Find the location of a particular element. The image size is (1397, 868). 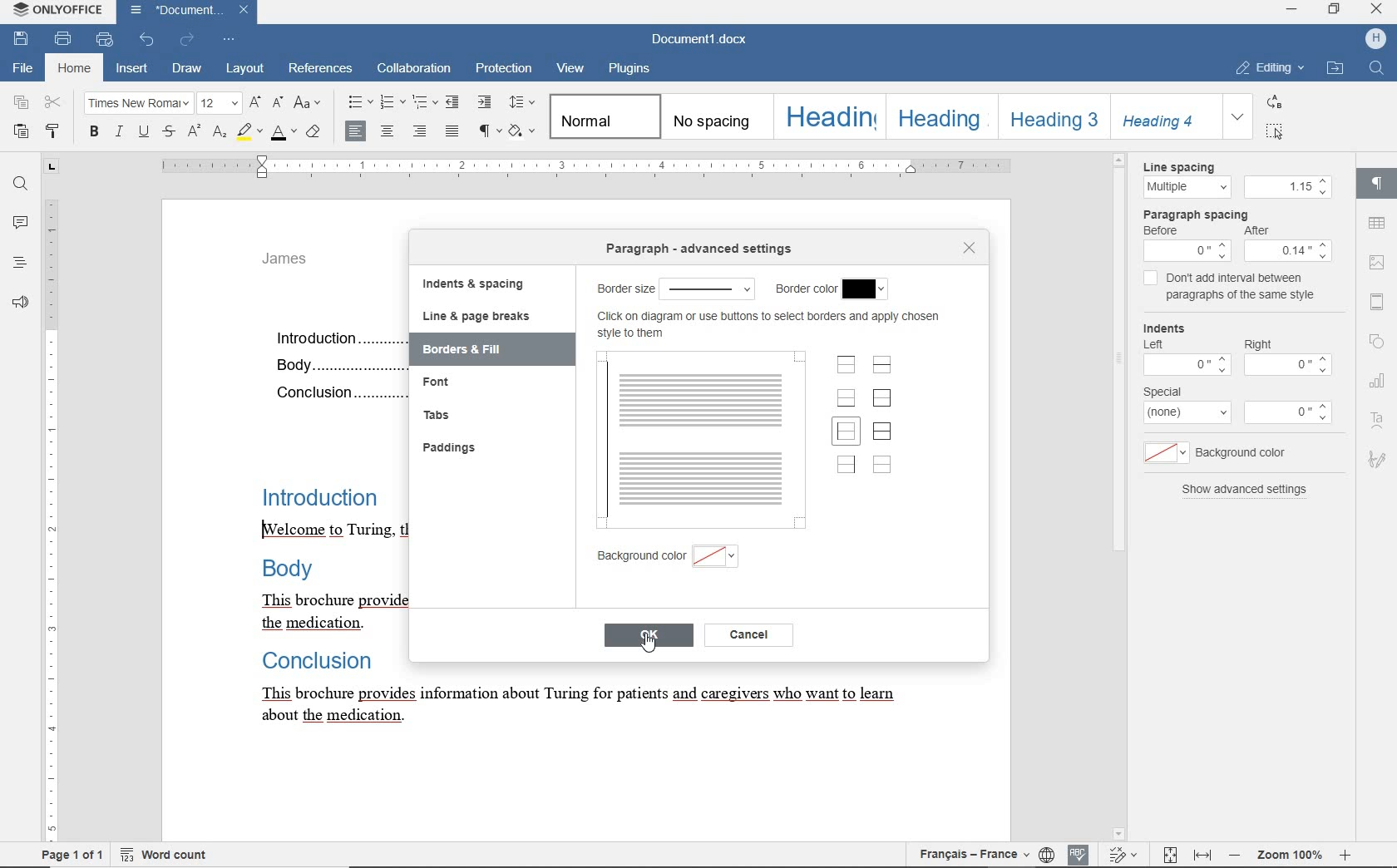

justified is located at coordinates (452, 131).